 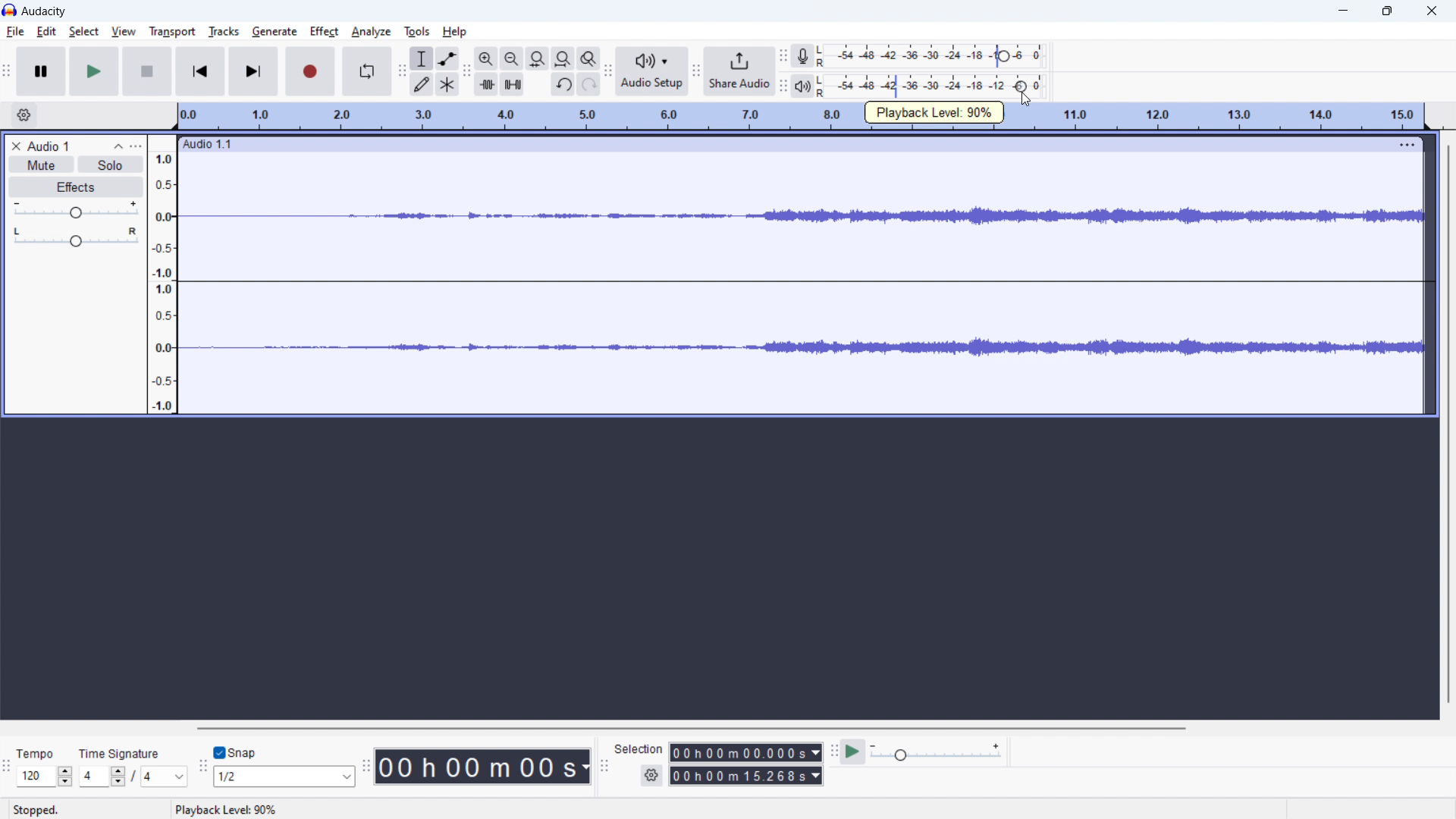 I want to click on cursor, so click(x=1028, y=102).